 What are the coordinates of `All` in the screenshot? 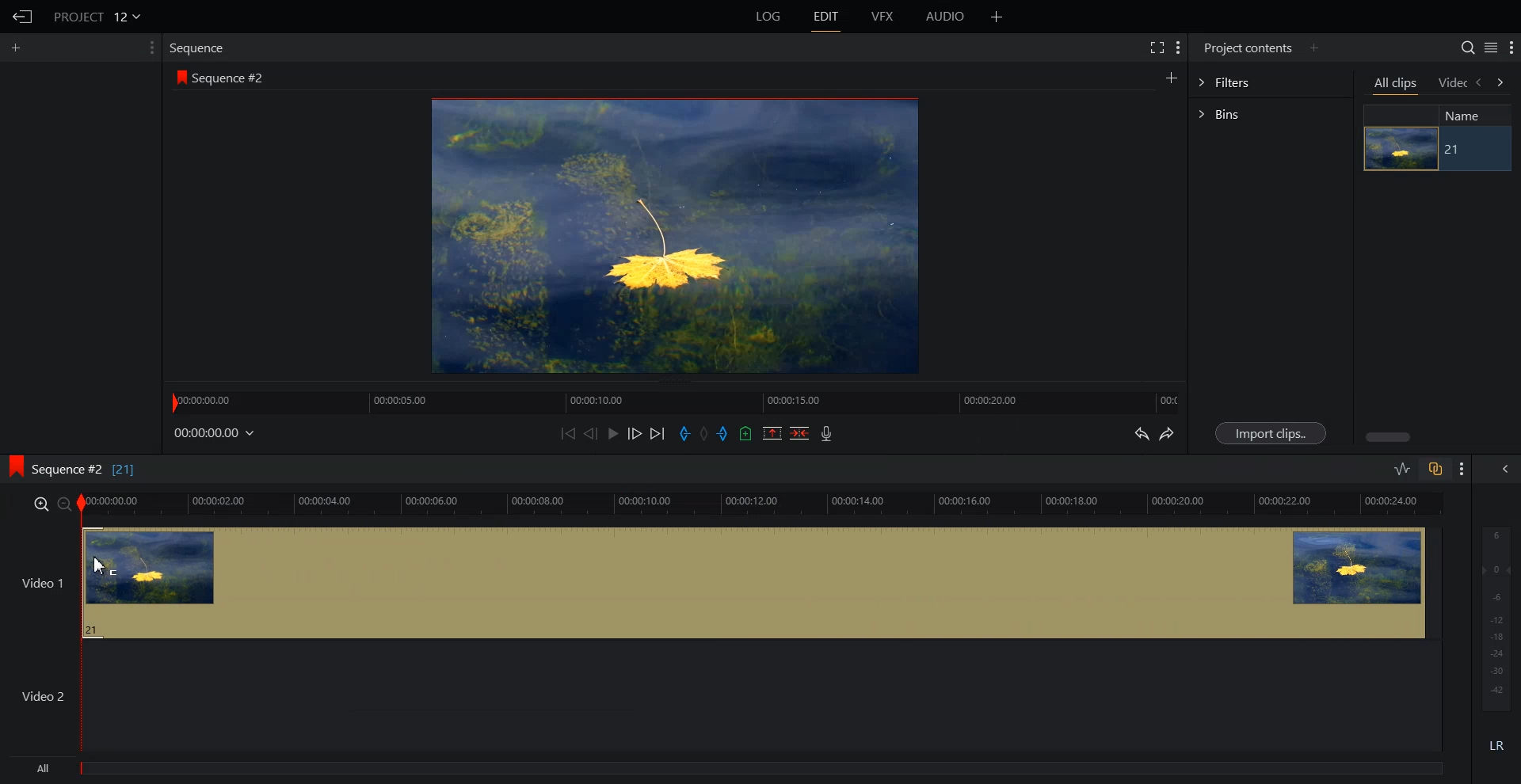 It's located at (729, 771).